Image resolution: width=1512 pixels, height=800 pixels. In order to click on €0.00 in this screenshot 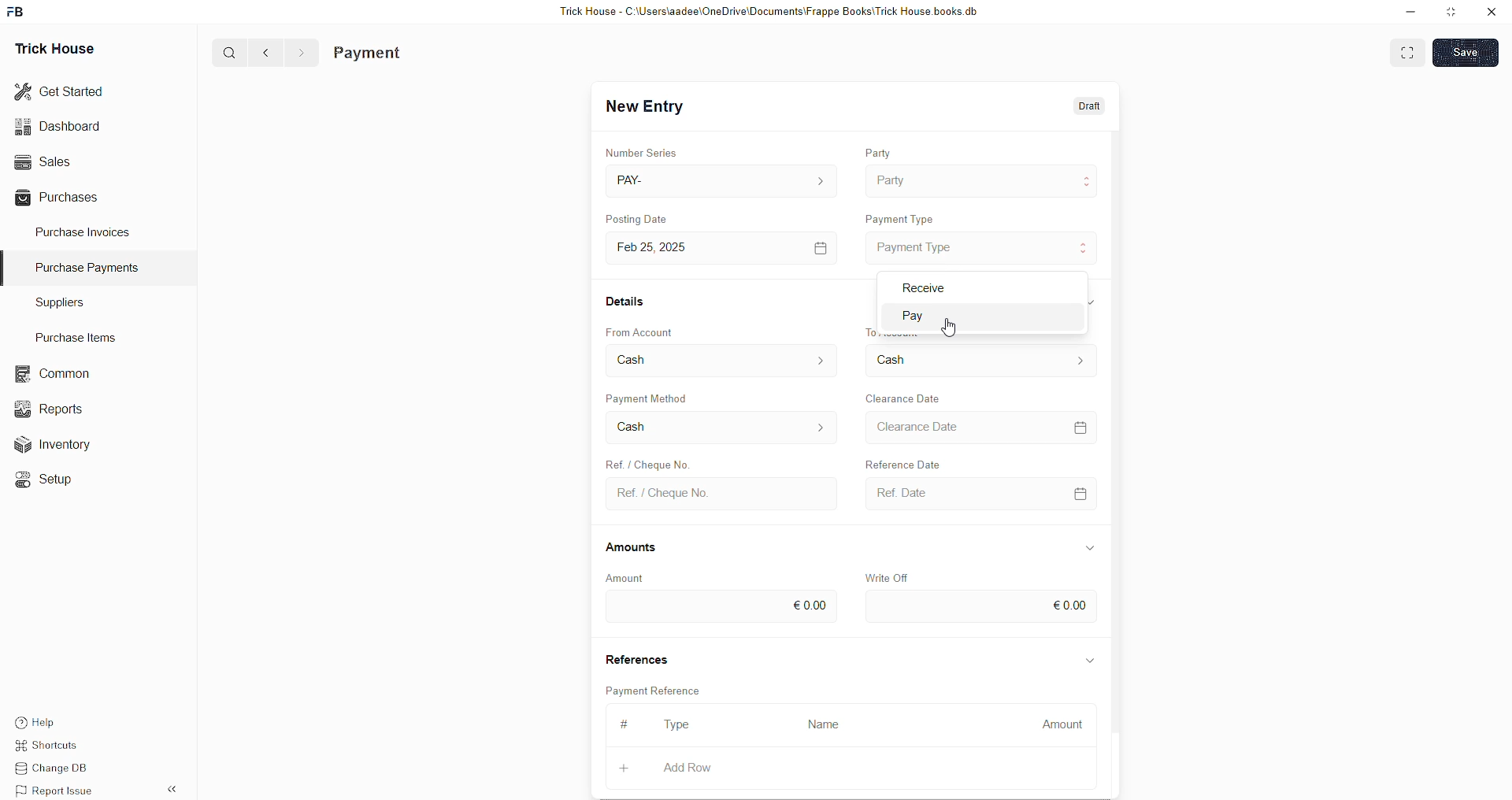, I will do `click(810, 602)`.